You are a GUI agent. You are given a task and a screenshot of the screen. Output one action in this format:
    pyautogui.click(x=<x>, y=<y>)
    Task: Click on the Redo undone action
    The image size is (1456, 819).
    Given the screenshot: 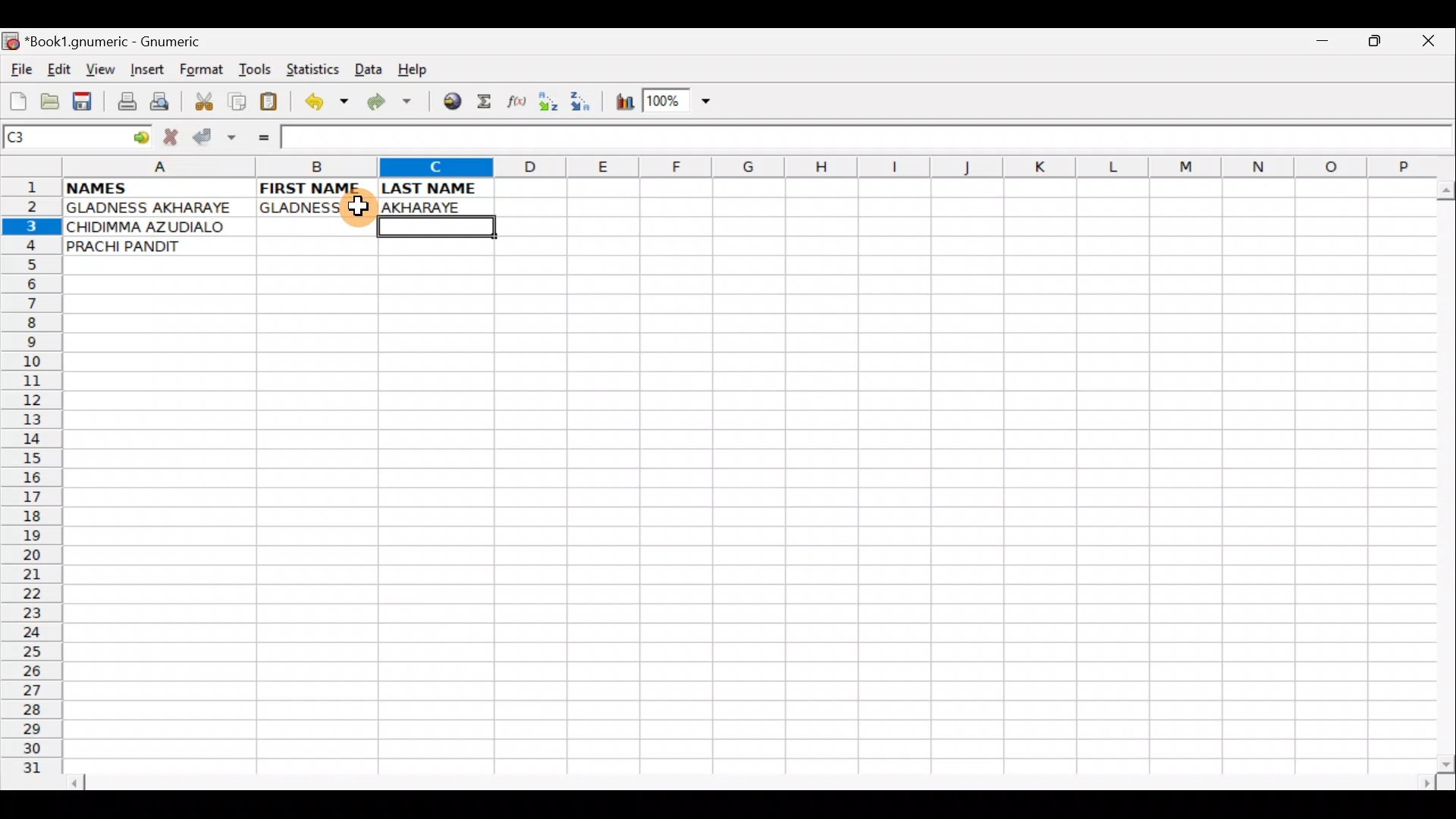 What is the action you would take?
    pyautogui.click(x=393, y=104)
    